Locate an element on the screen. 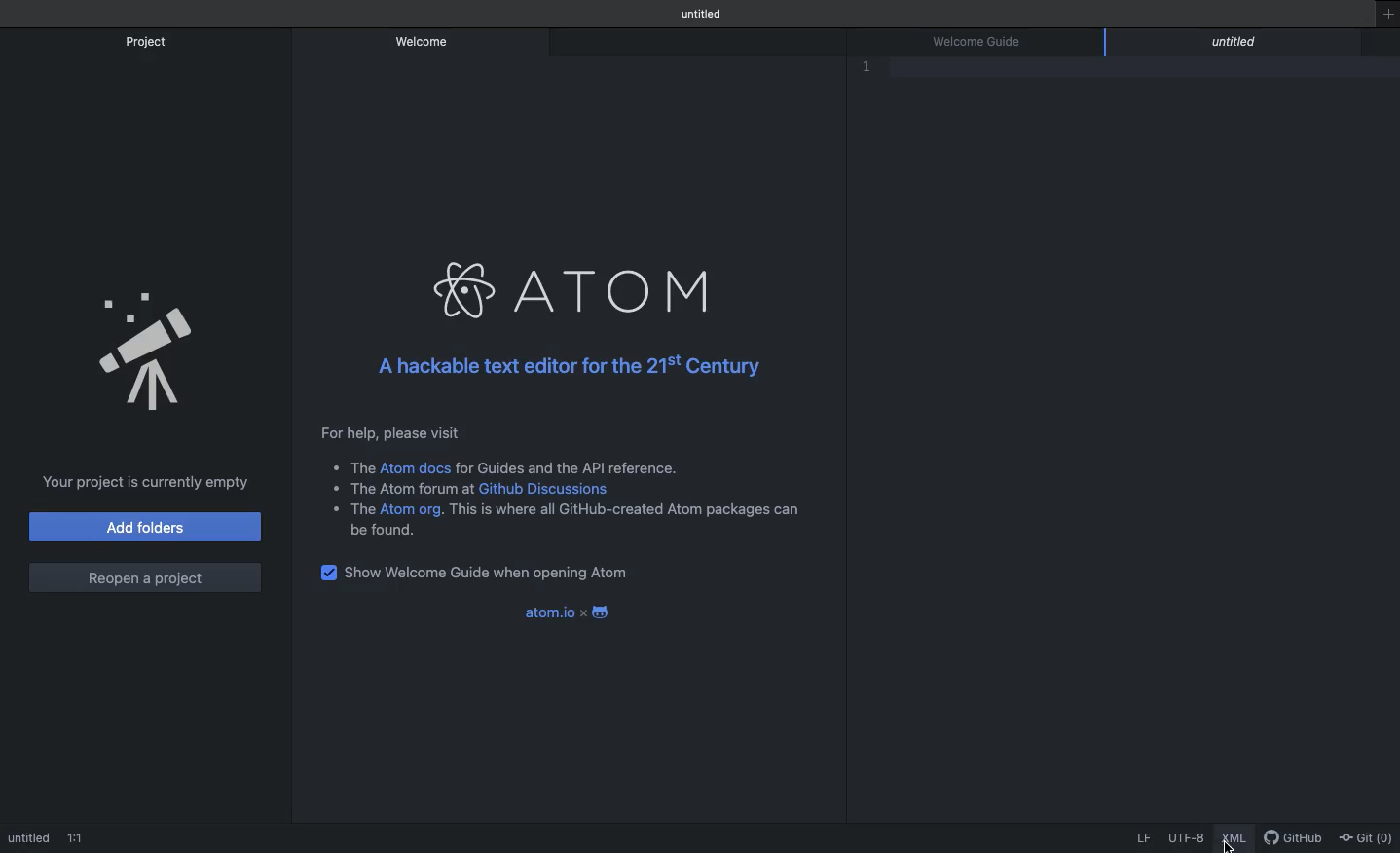 This screenshot has height=853, width=1400. Github Discussion Link is located at coordinates (557, 490).